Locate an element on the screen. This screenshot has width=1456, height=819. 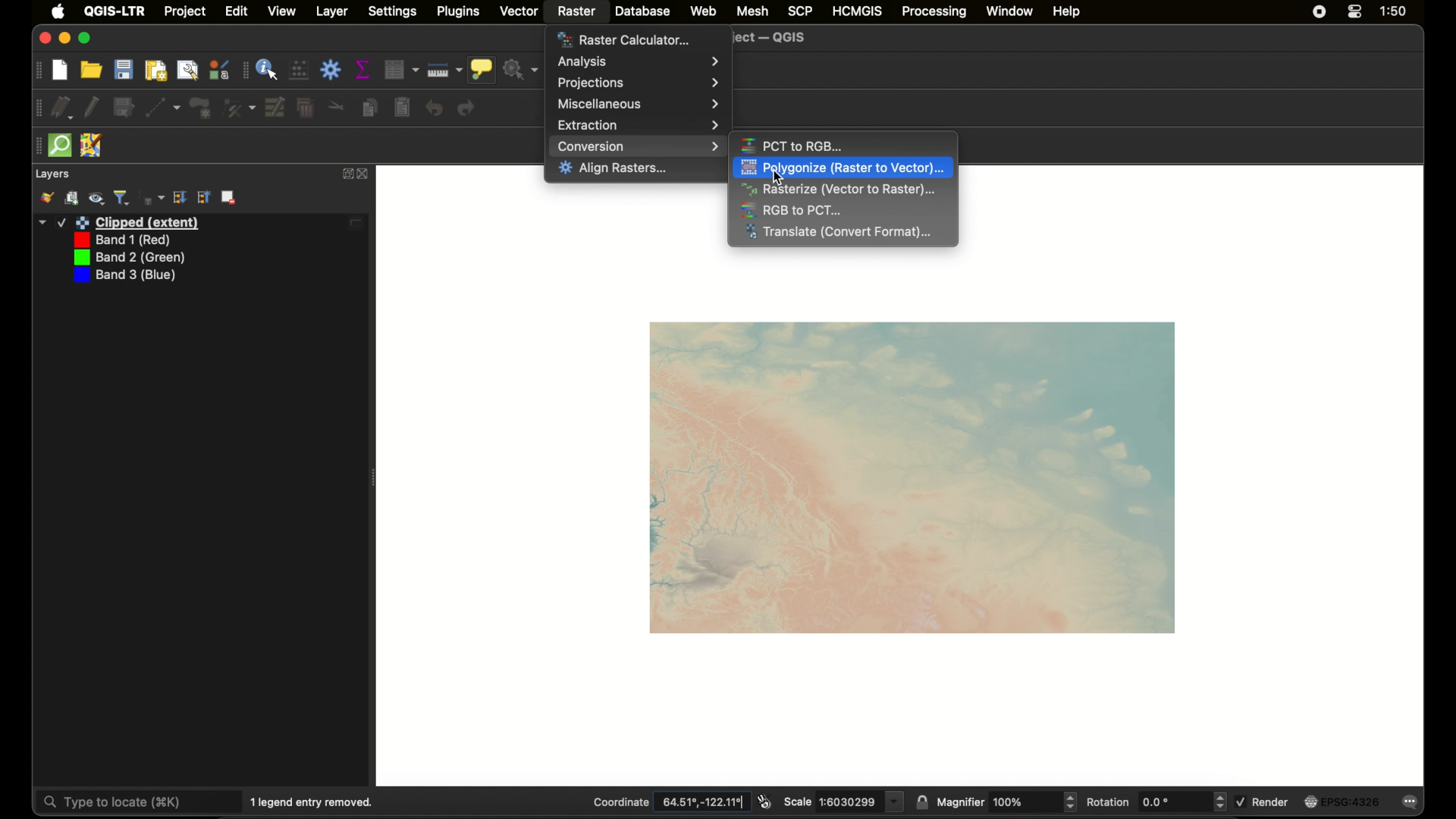
new is located at coordinates (60, 71).